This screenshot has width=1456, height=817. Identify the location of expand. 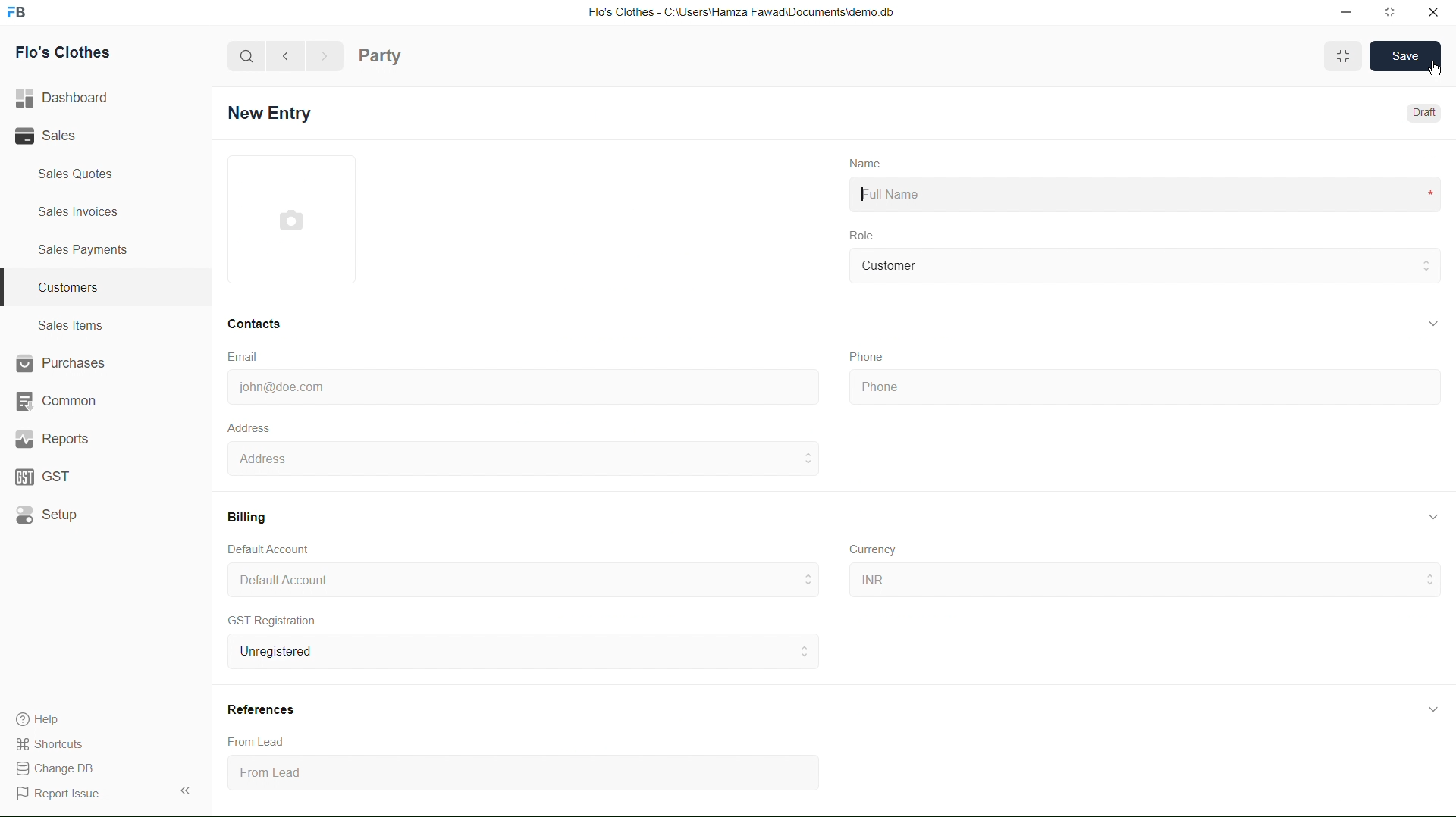
(1428, 324).